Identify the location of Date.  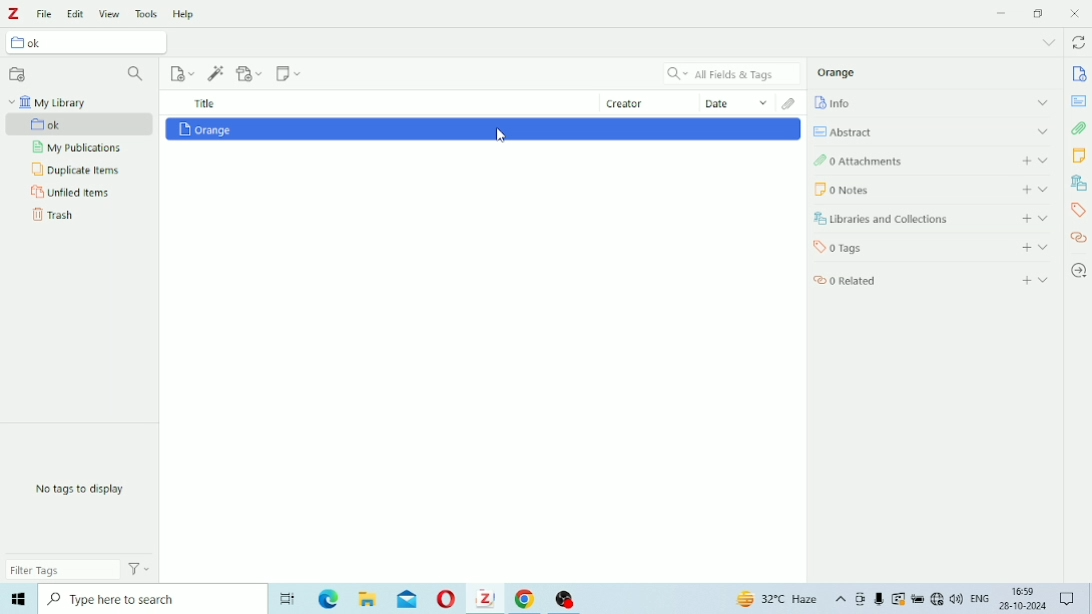
(737, 102).